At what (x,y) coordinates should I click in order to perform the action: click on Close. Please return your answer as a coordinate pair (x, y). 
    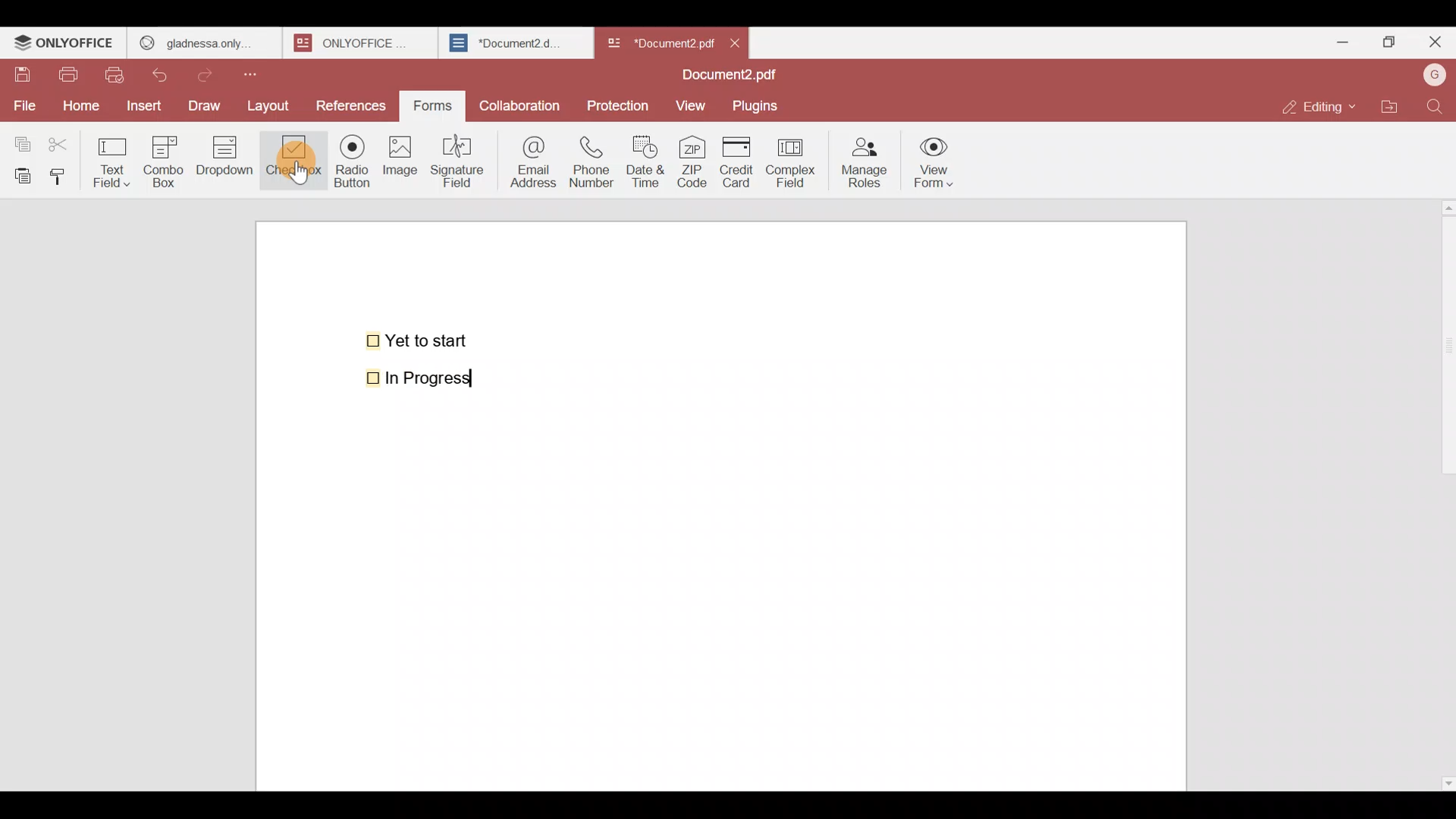
    Looking at the image, I should click on (742, 42).